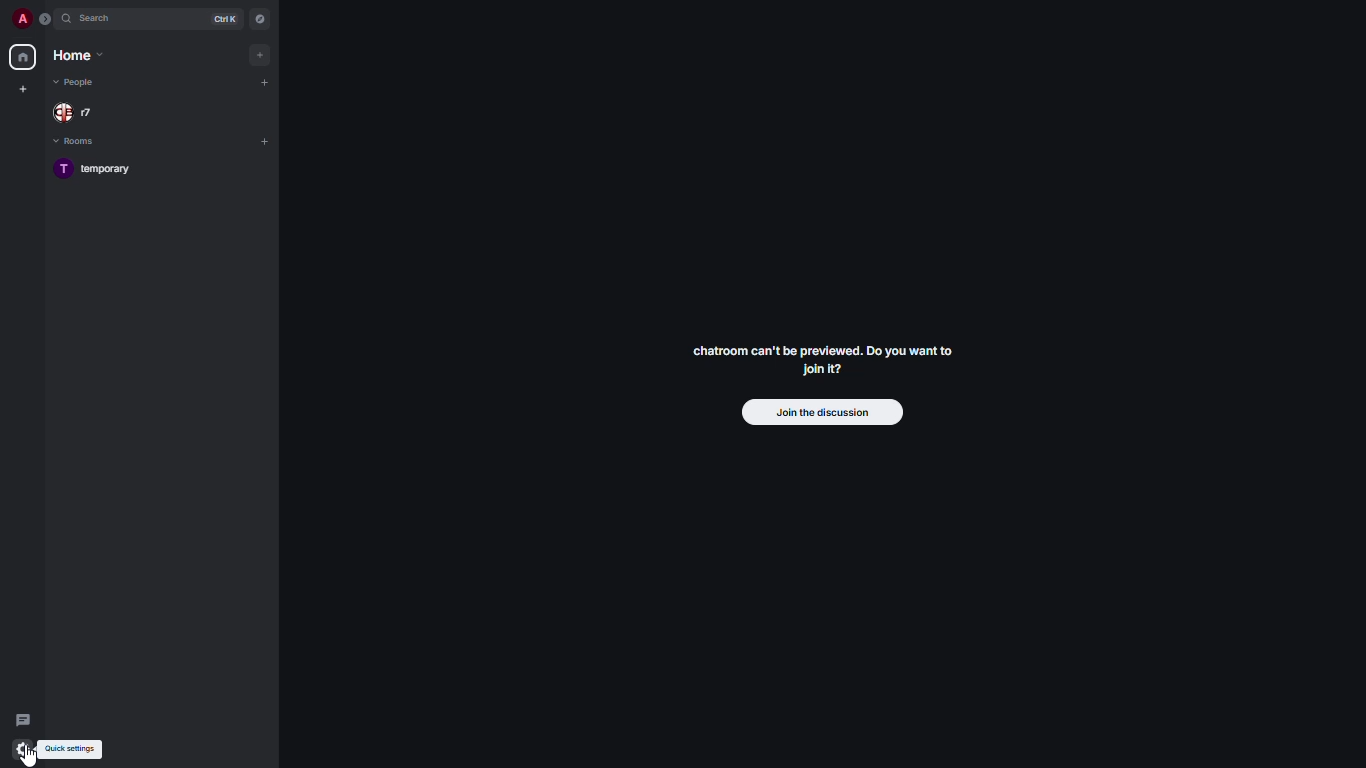 Image resolution: width=1366 pixels, height=768 pixels. I want to click on navigator, so click(260, 19).